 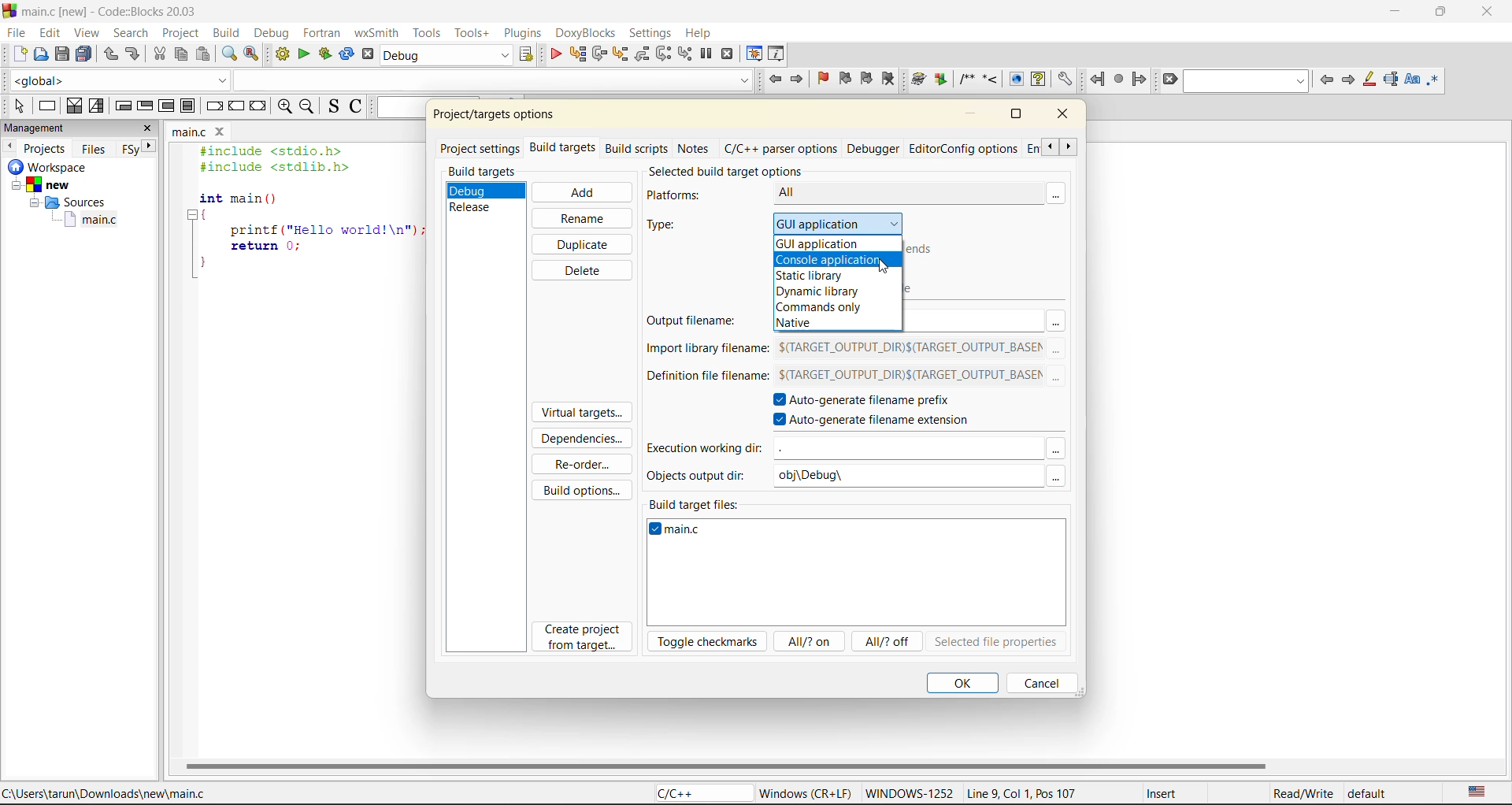 What do you see at coordinates (1444, 14) in the screenshot?
I see `maximize` at bounding box center [1444, 14].